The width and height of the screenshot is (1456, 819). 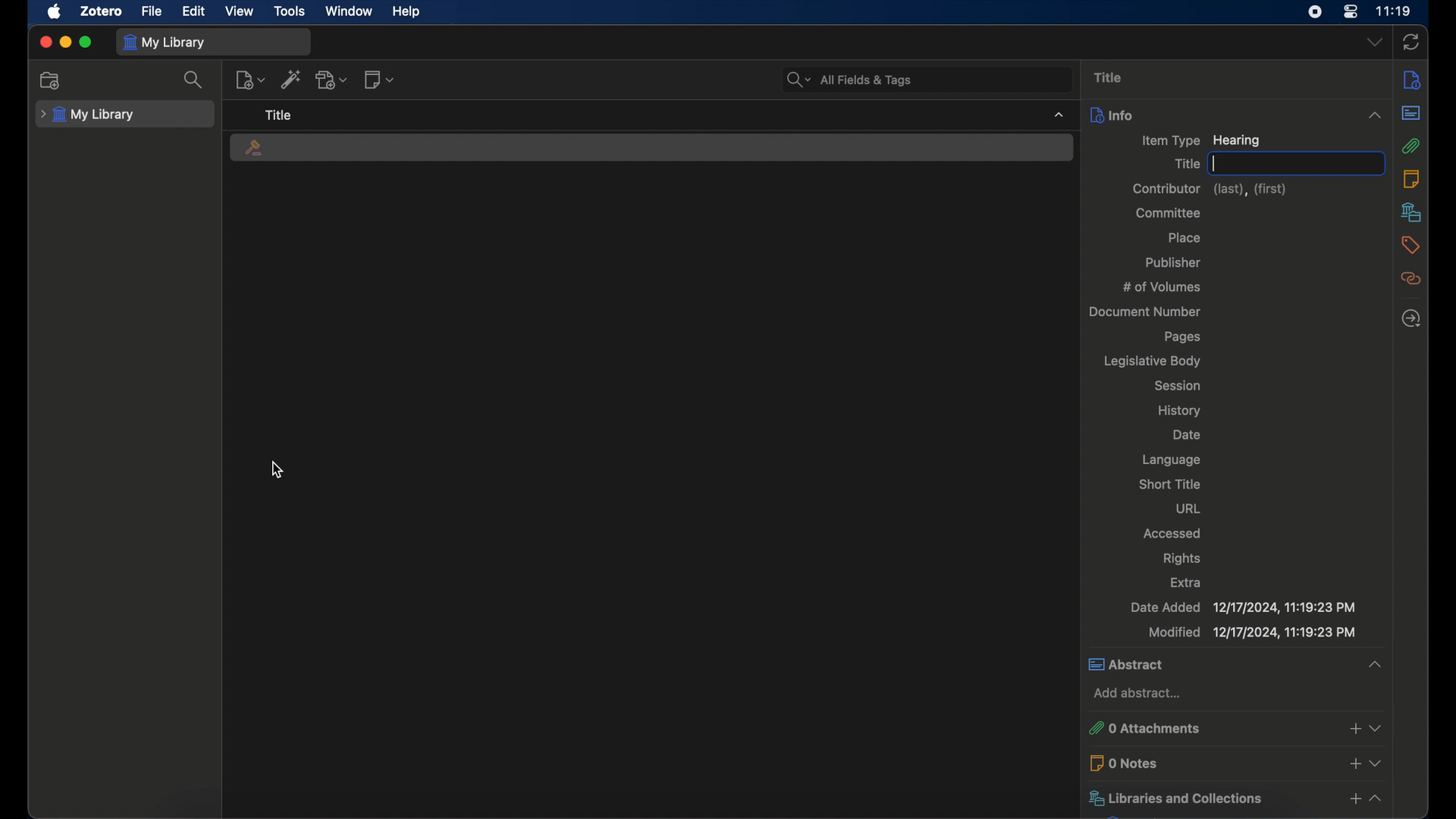 What do you see at coordinates (1178, 385) in the screenshot?
I see `session` at bounding box center [1178, 385].